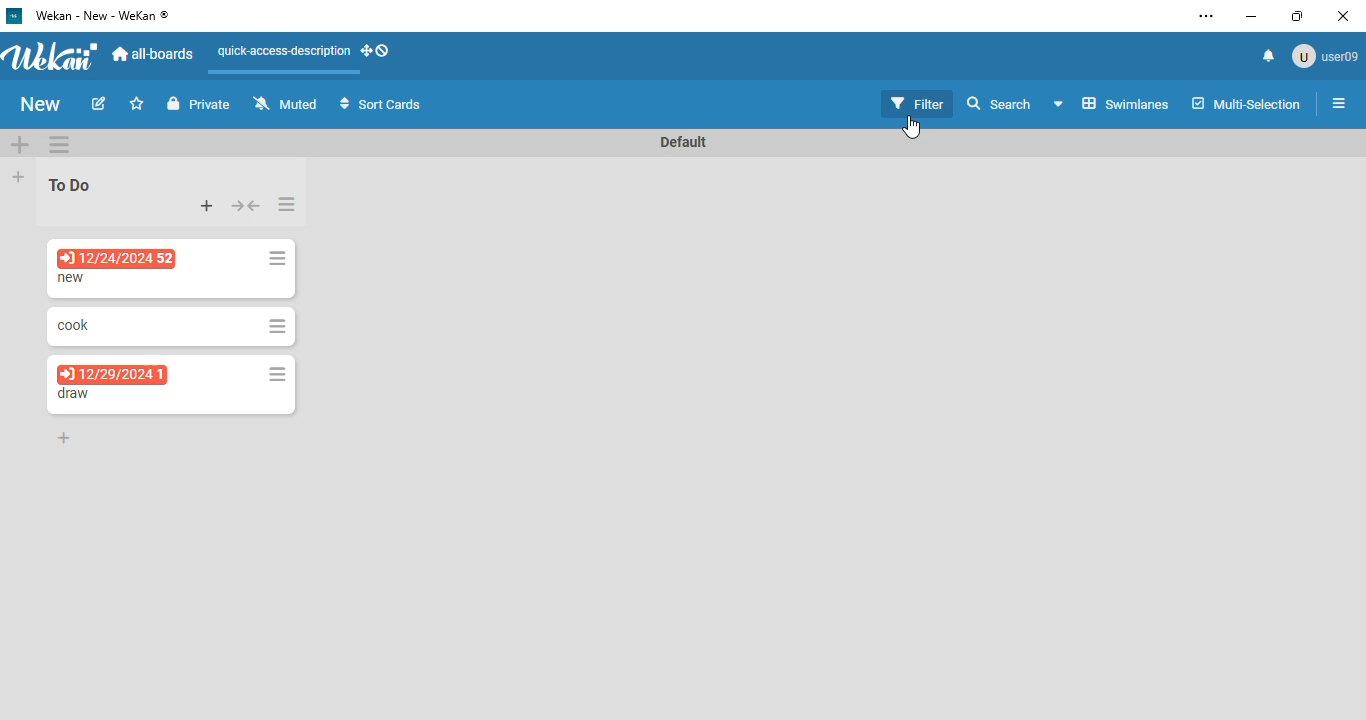 This screenshot has height=720, width=1366. What do you see at coordinates (58, 144) in the screenshot?
I see `swimlane actions` at bounding box center [58, 144].